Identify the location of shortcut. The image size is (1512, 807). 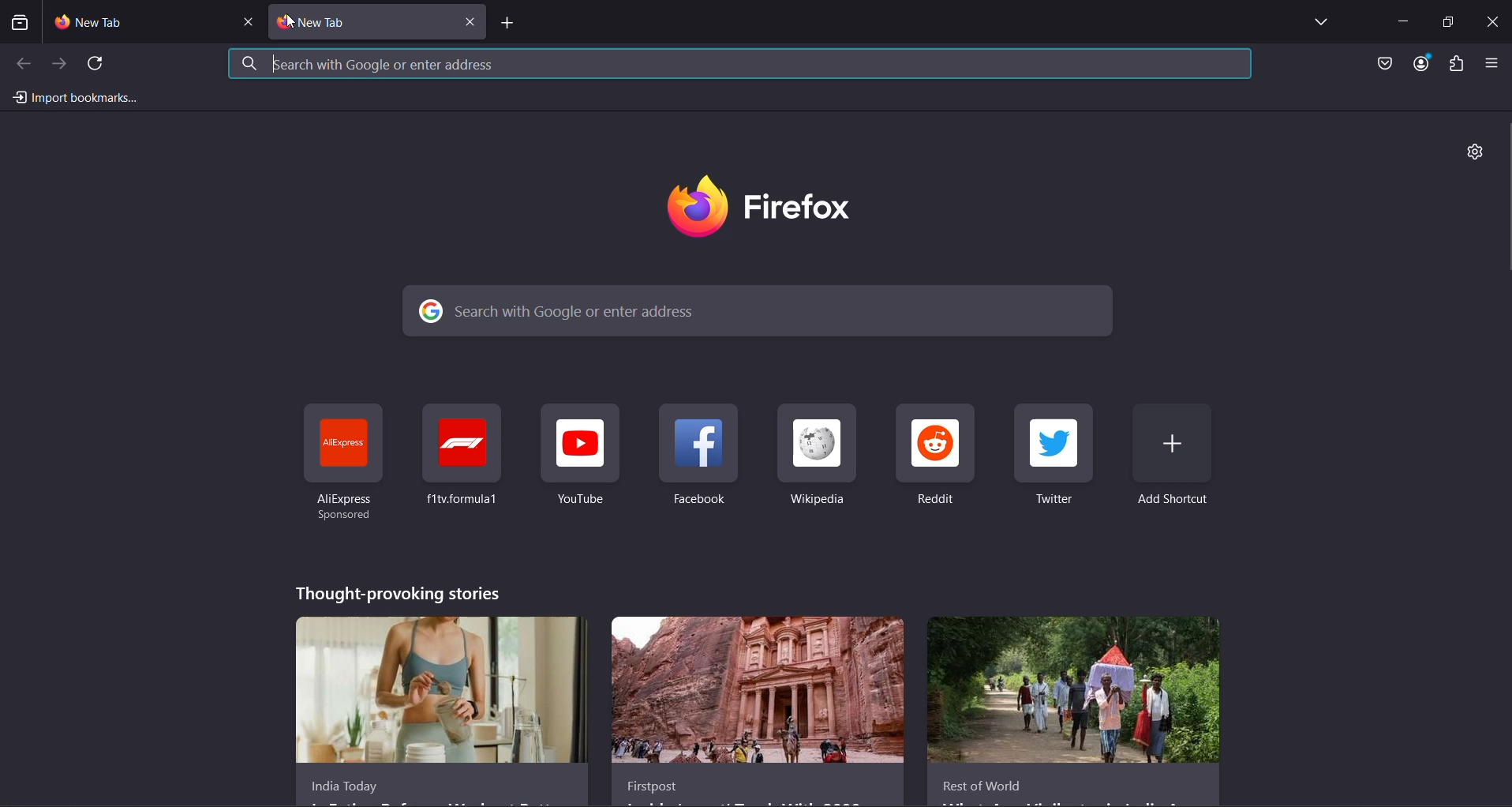
(462, 456).